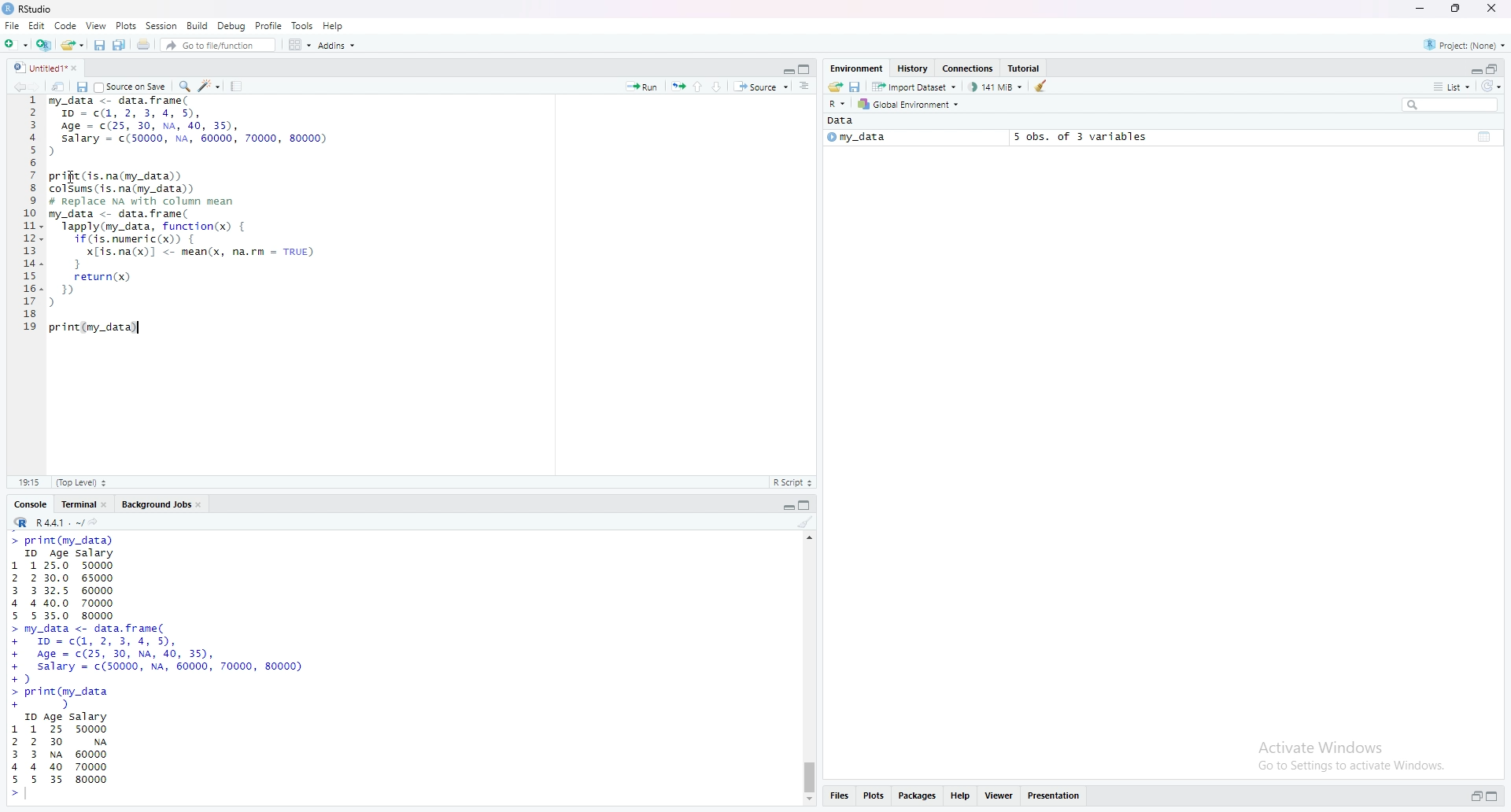 The width and height of the screenshot is (1511, 812). What do you see at coordinates (1494, 69) in the screenshot?
I see `collapse` at bounding box center [1494, 69].